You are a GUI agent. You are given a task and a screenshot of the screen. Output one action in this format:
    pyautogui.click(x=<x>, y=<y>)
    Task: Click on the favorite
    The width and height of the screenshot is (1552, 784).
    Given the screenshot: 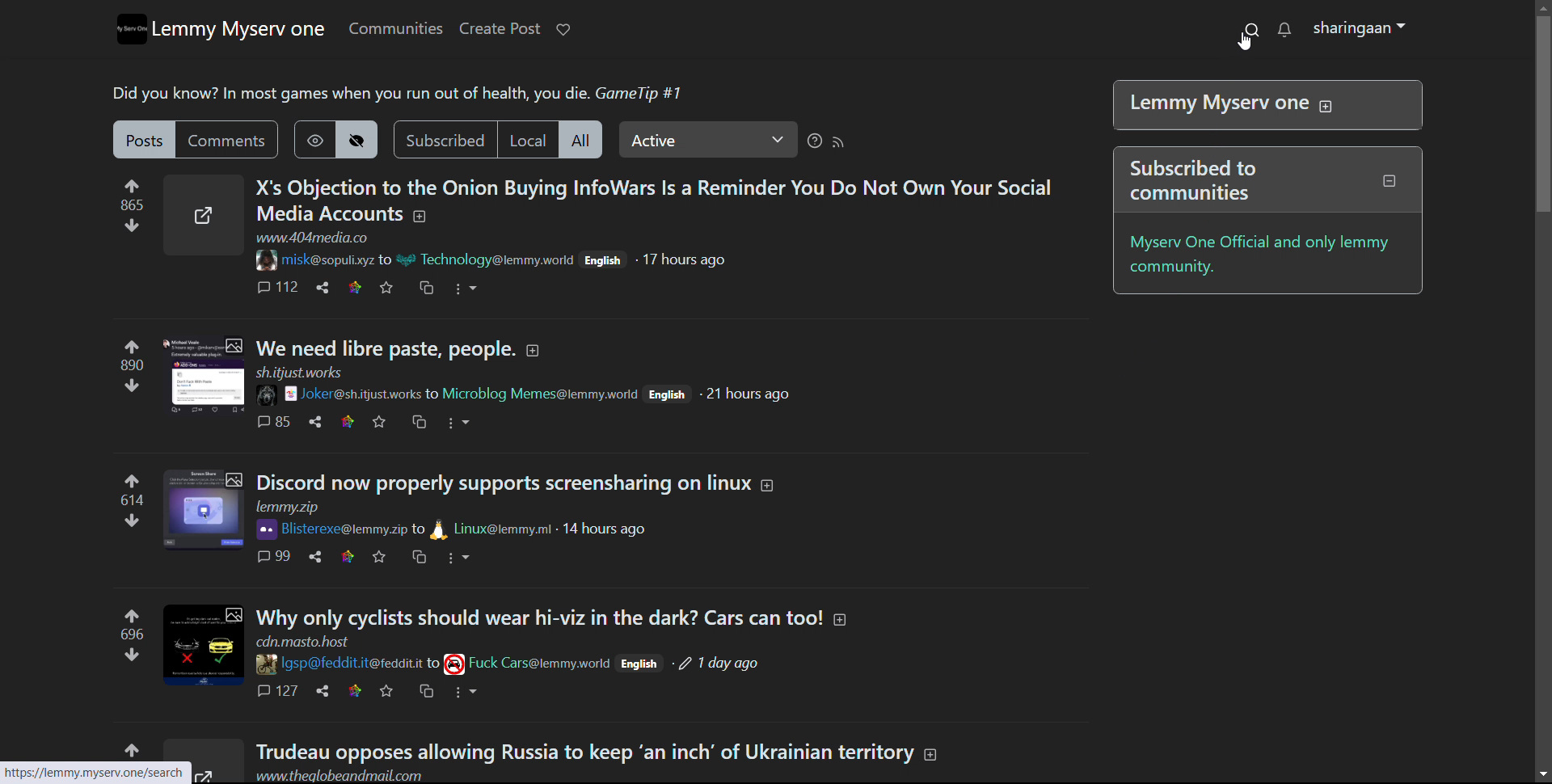 What is the action you would take?
    pyautogui.click(x=387, y=287)
    